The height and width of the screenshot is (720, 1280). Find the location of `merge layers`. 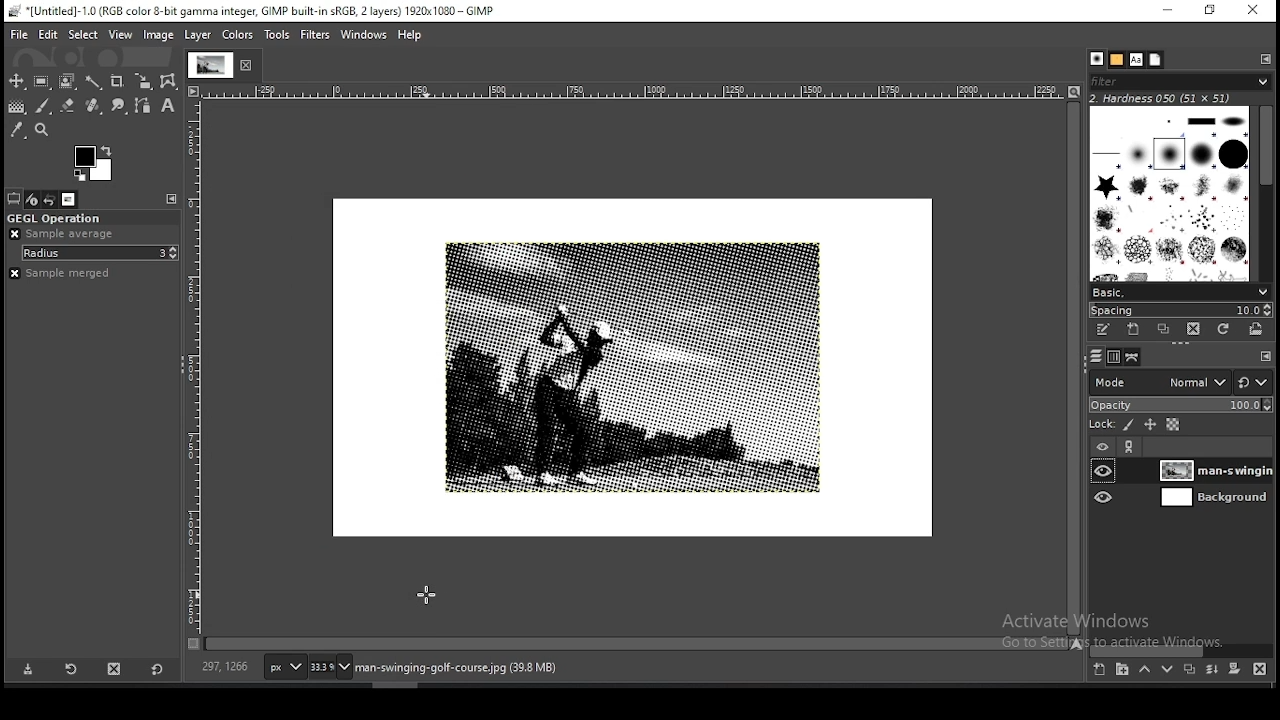

merge layers is located at coordinates (1210, 669).